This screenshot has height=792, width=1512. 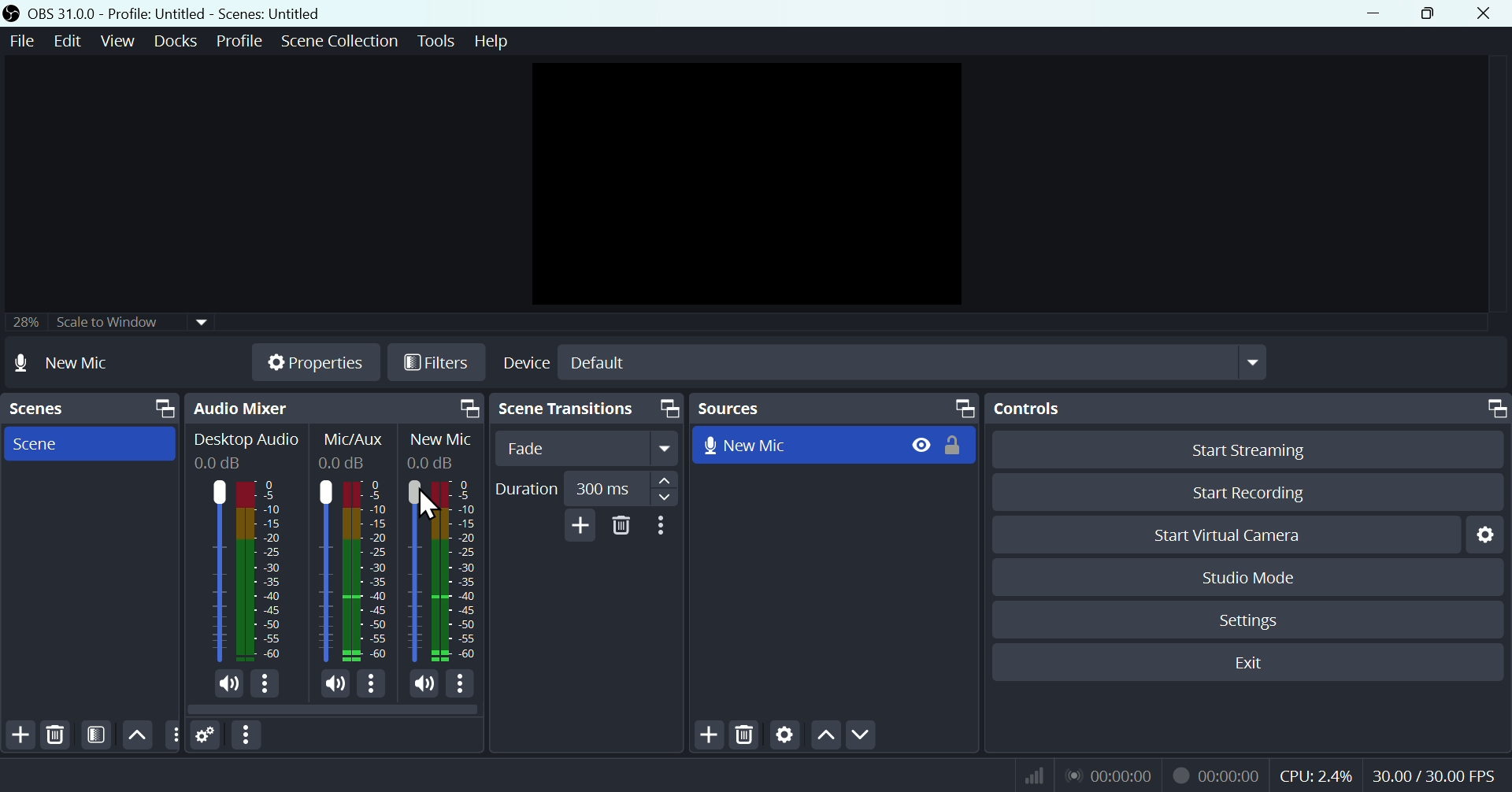 What do you see at coordinates (882, 362) in the screenshot?
I see `Select Device` at bounding box center [882, 362].